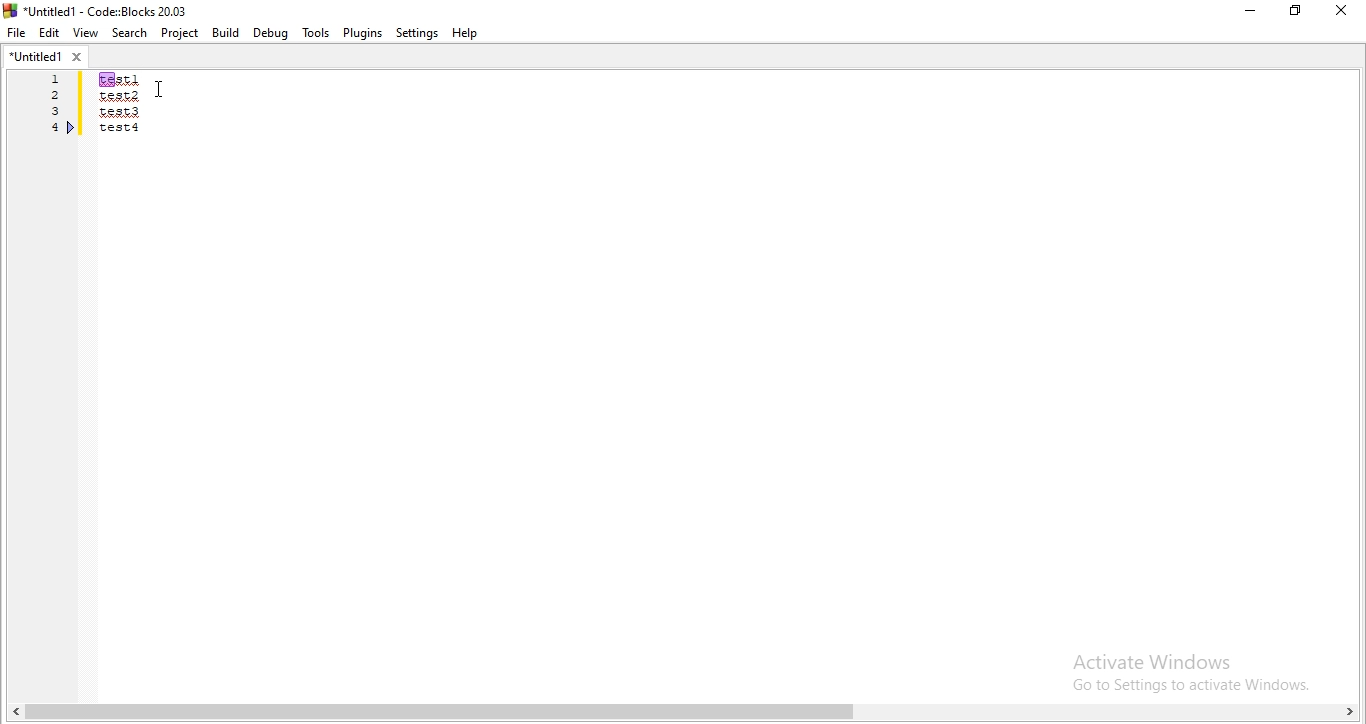 Image resolution: width=1366 pixels, height=724 pixels. What do you see at coordinates (49, 118) in the screenshot?
I see `1,2,3,4,5` at bounding box center [49, 118].